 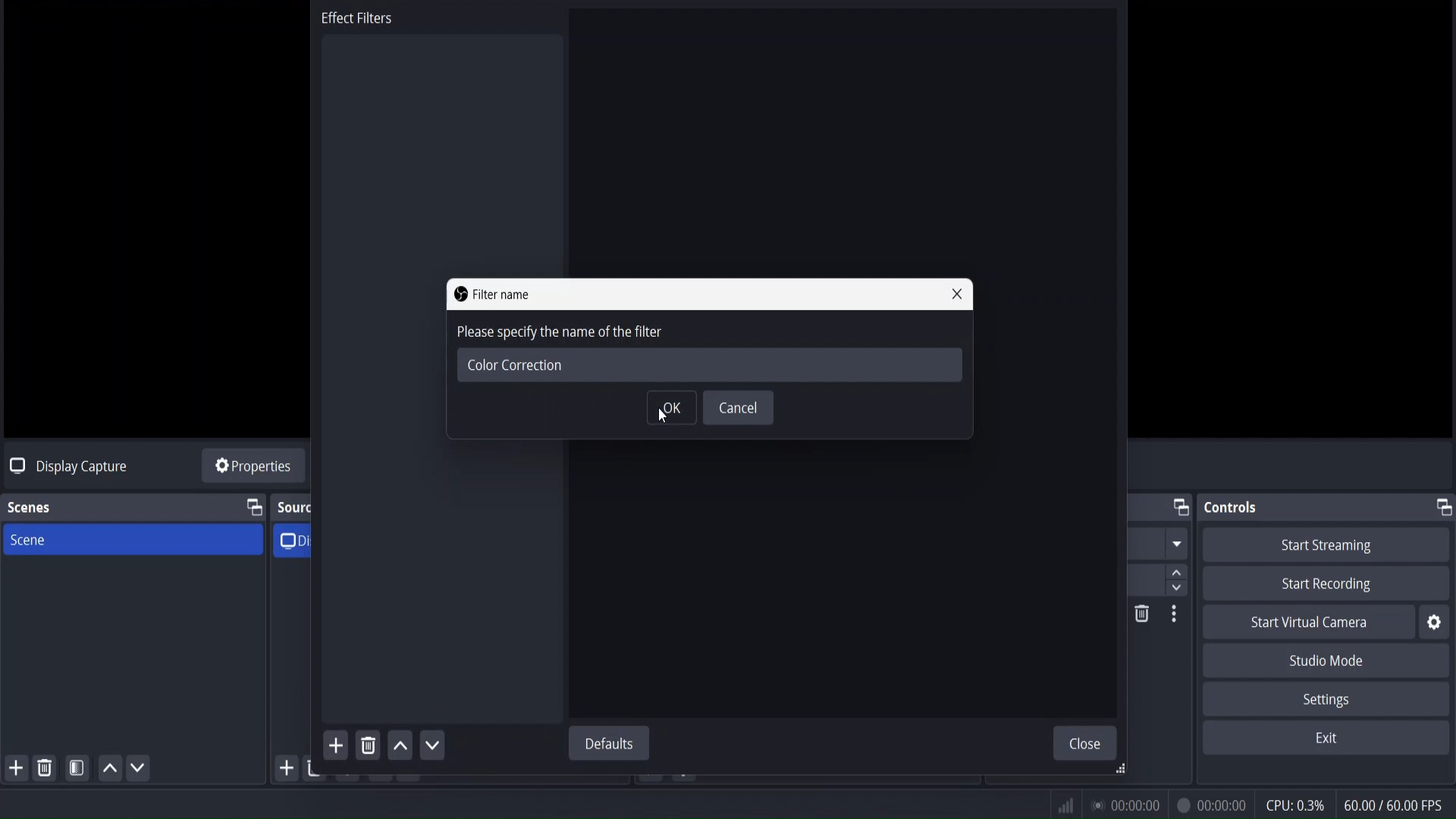 I want to click on cpu usage, so click(x=1294, y=805).